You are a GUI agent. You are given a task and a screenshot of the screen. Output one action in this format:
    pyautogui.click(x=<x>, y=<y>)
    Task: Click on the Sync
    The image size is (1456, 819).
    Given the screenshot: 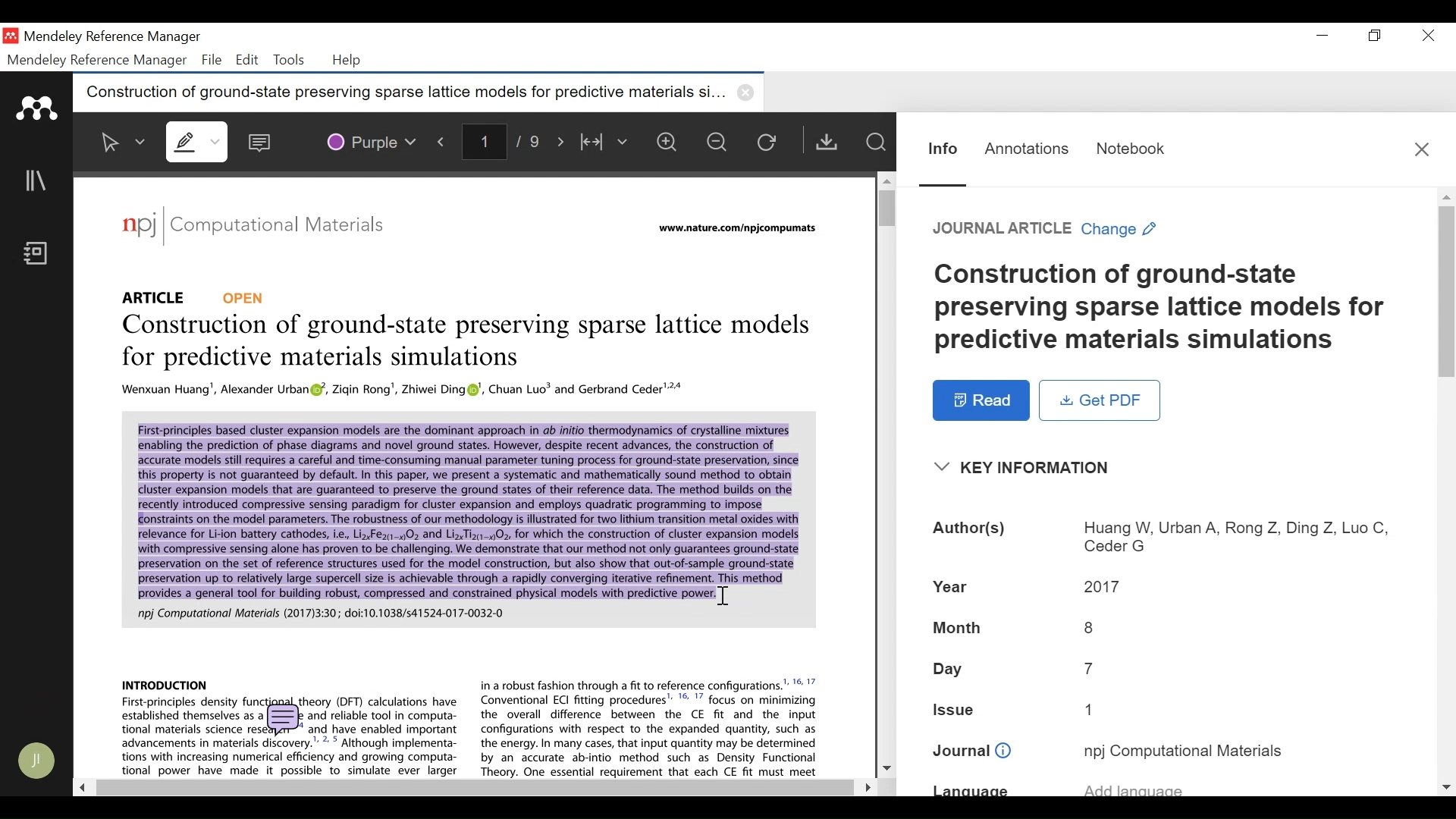 What is the action you would take?
    pyautogui.click(x=38, y=688)
    